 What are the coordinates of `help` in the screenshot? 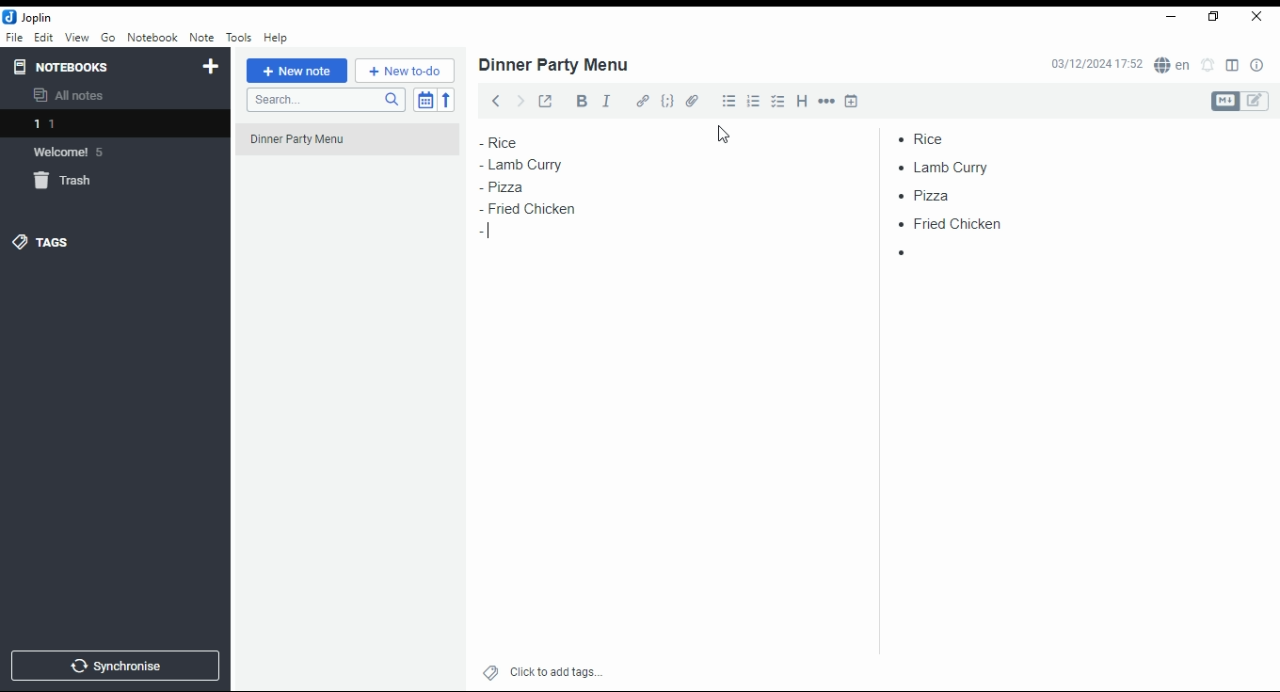 It's located at (276, 38).